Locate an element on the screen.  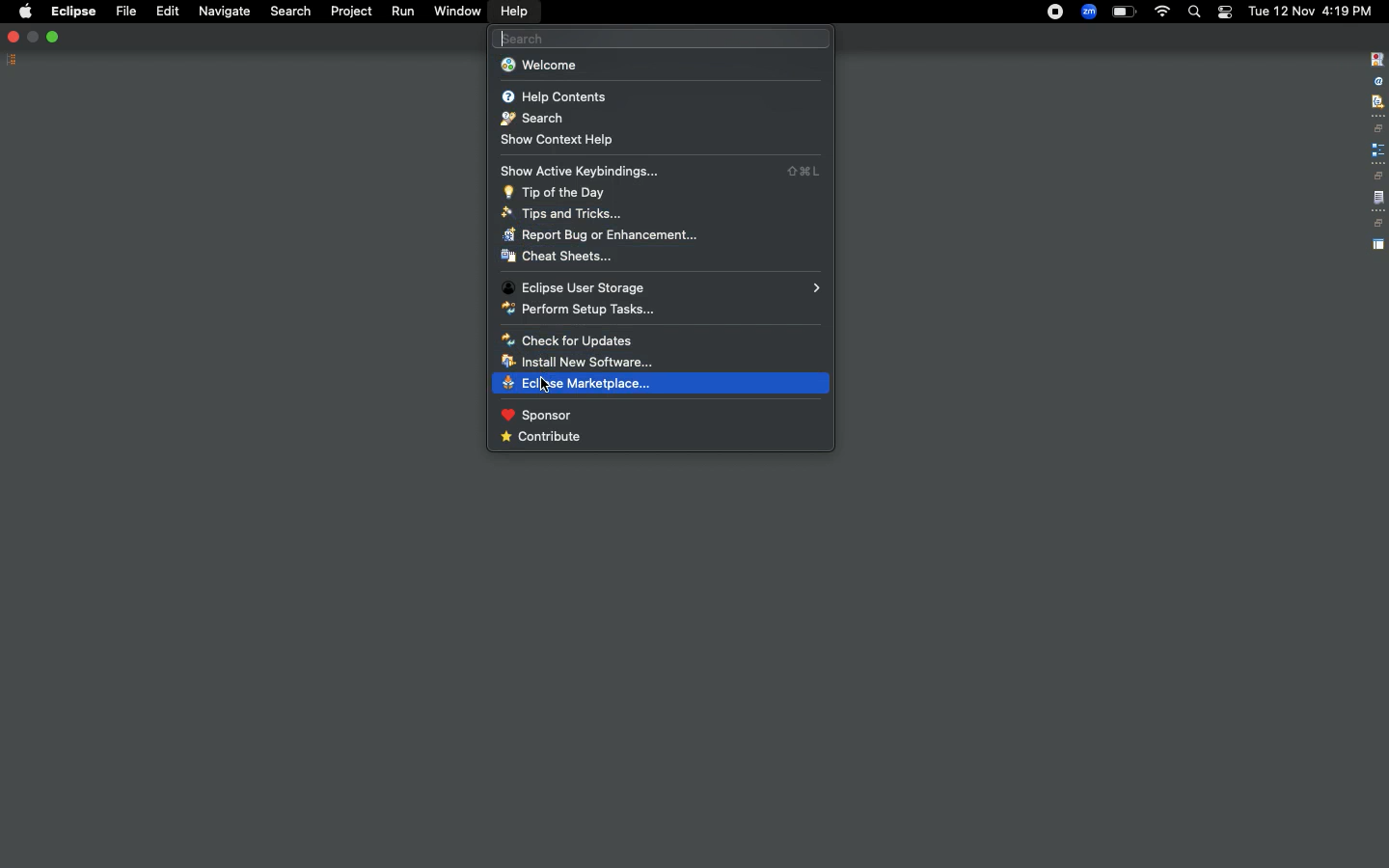
Cheat sheets is located at coordinates (557, 258).